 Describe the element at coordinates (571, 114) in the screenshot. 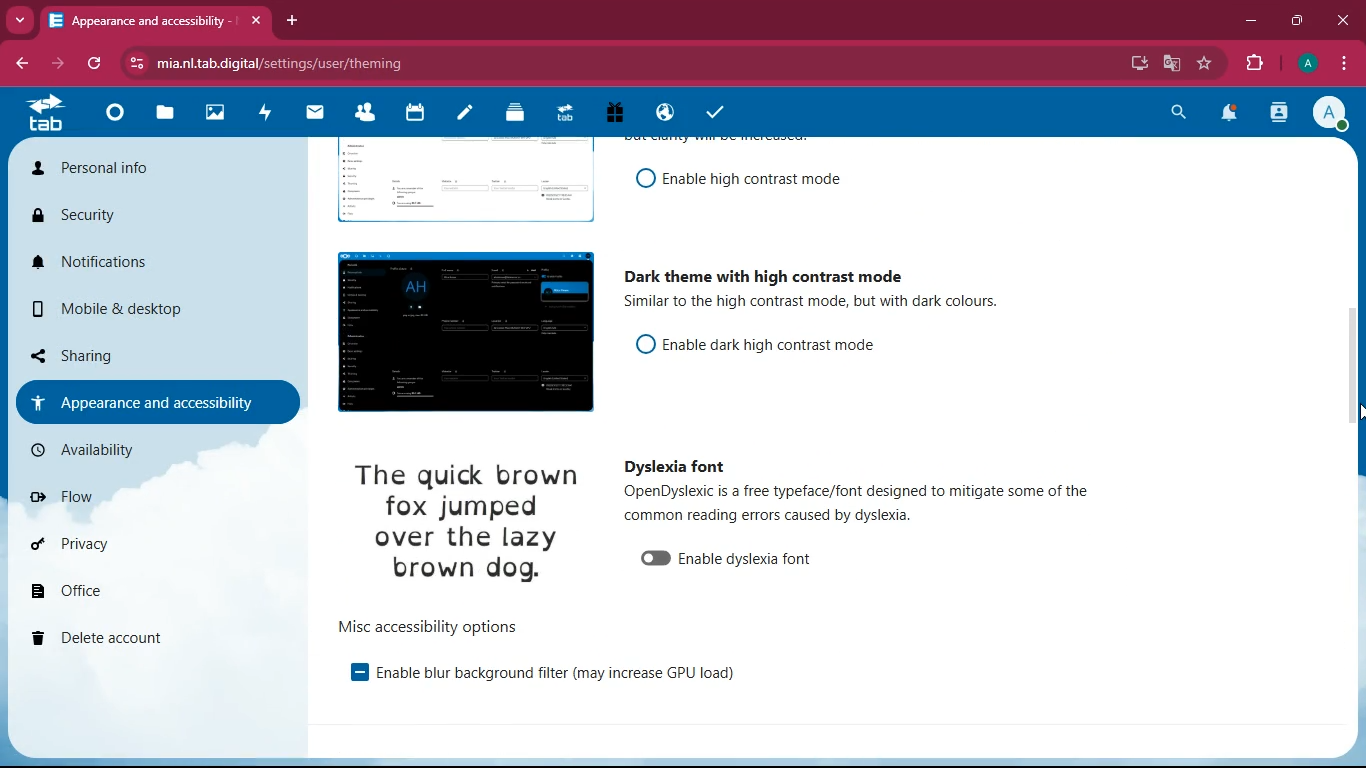

I see `tab` at that location.